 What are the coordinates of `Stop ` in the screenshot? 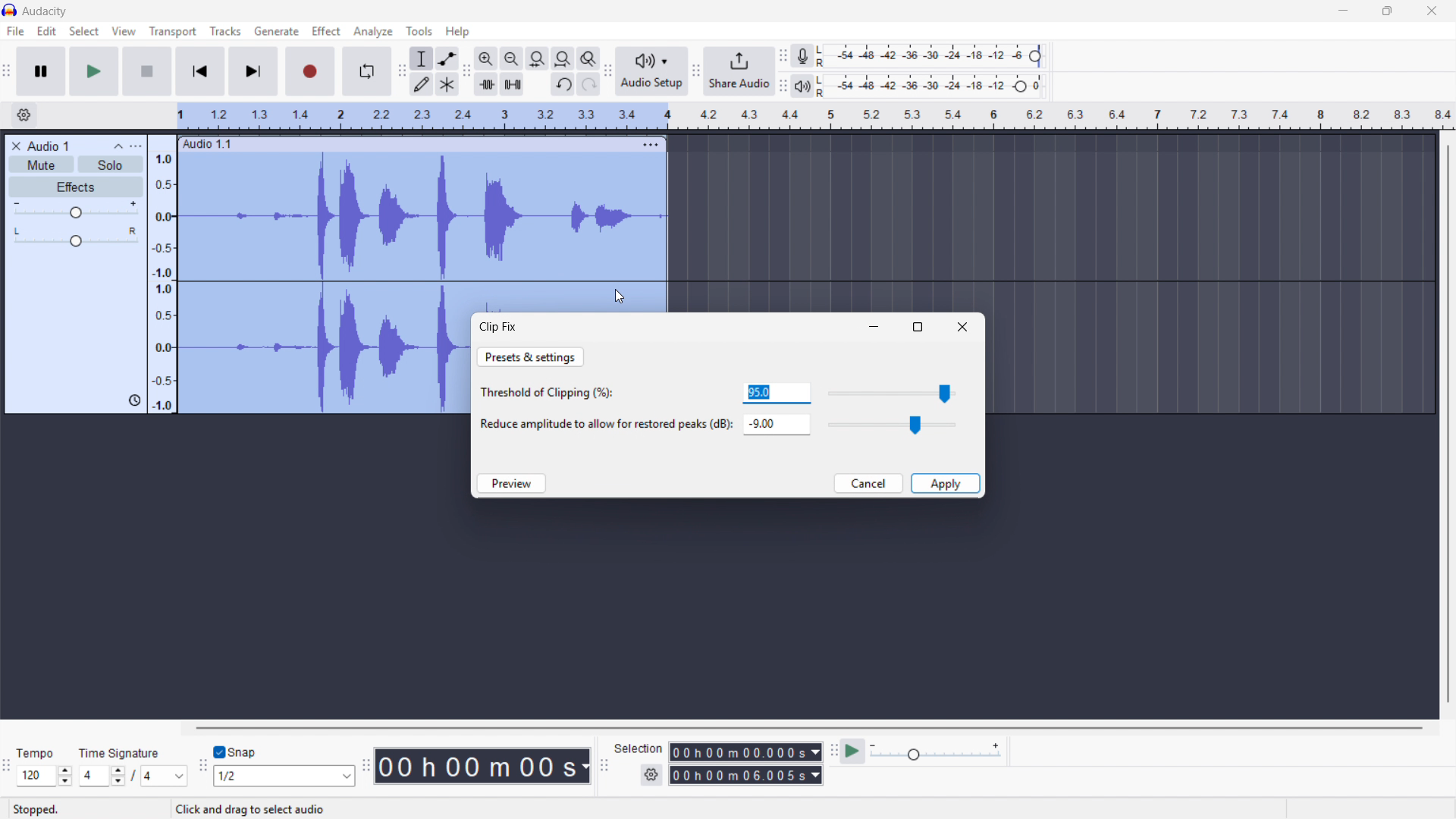 It's located at (147, 71).